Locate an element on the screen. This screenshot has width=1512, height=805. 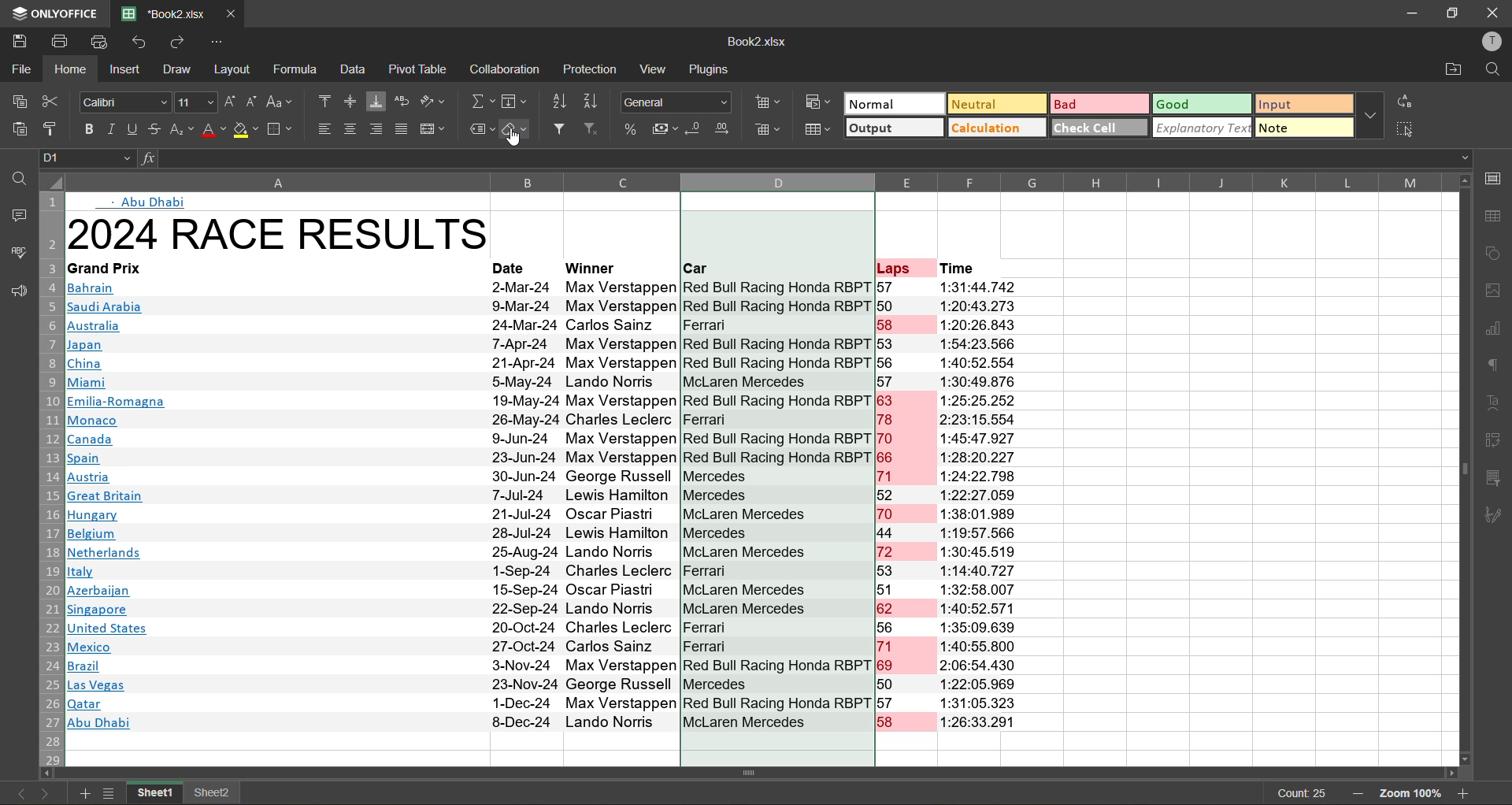
Time is located at coordinates (962, 269).